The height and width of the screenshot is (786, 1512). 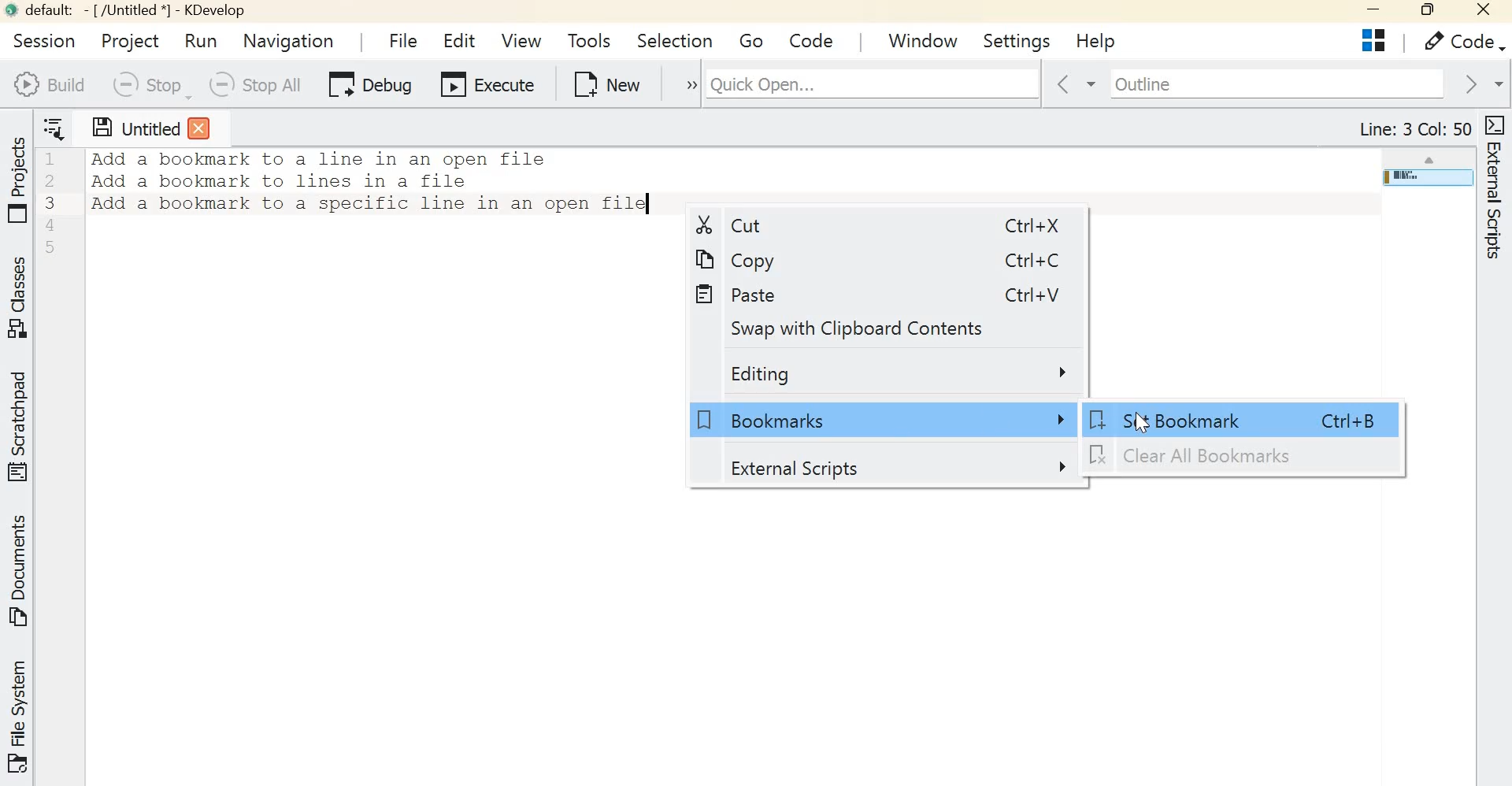 What do you see at coordinates (485, 81) in the screenshot?
I see `Execute` at bounding box center [485, 81].